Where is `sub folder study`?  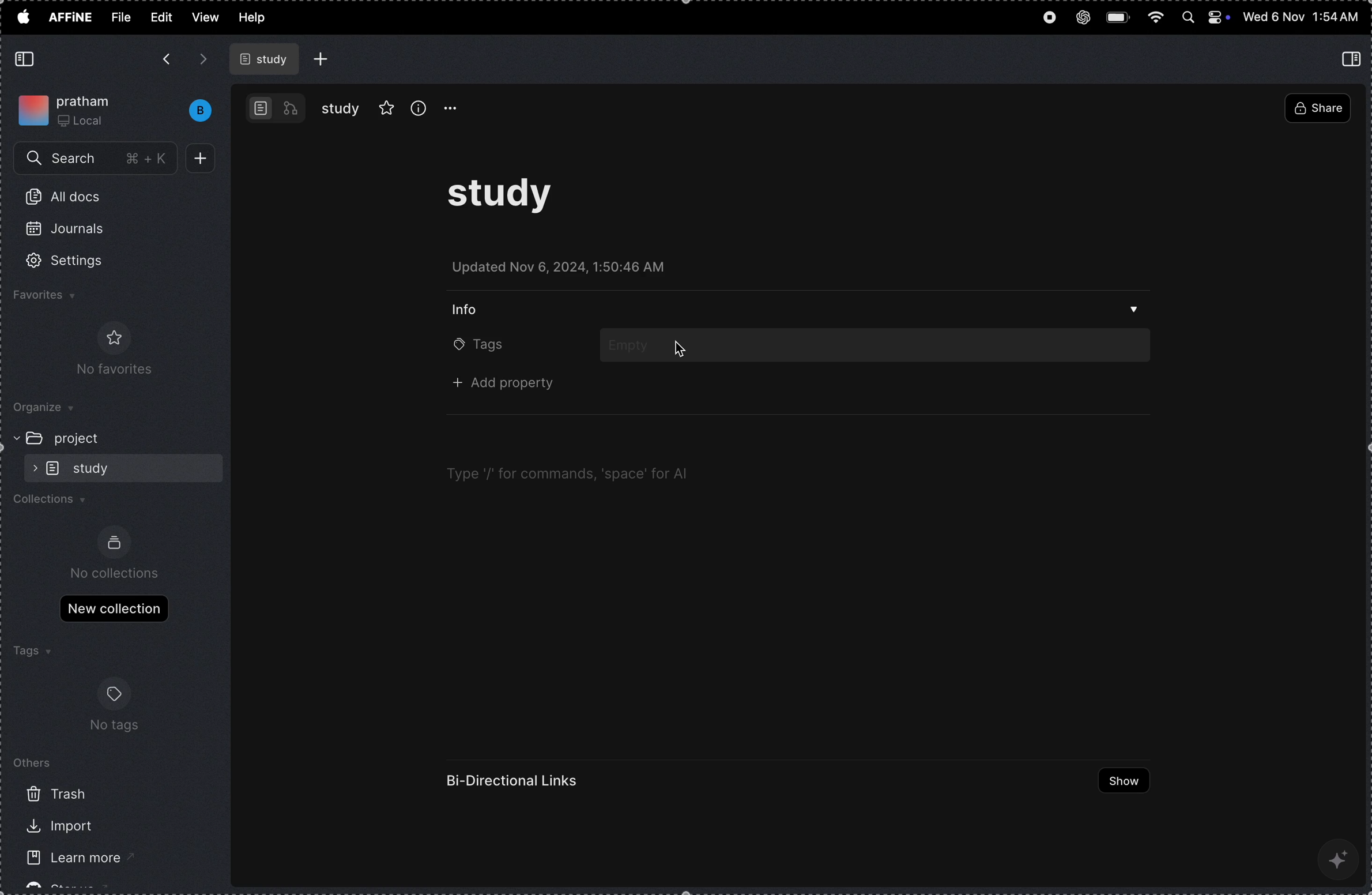
sub folder study is located at coordinates (95, 467).